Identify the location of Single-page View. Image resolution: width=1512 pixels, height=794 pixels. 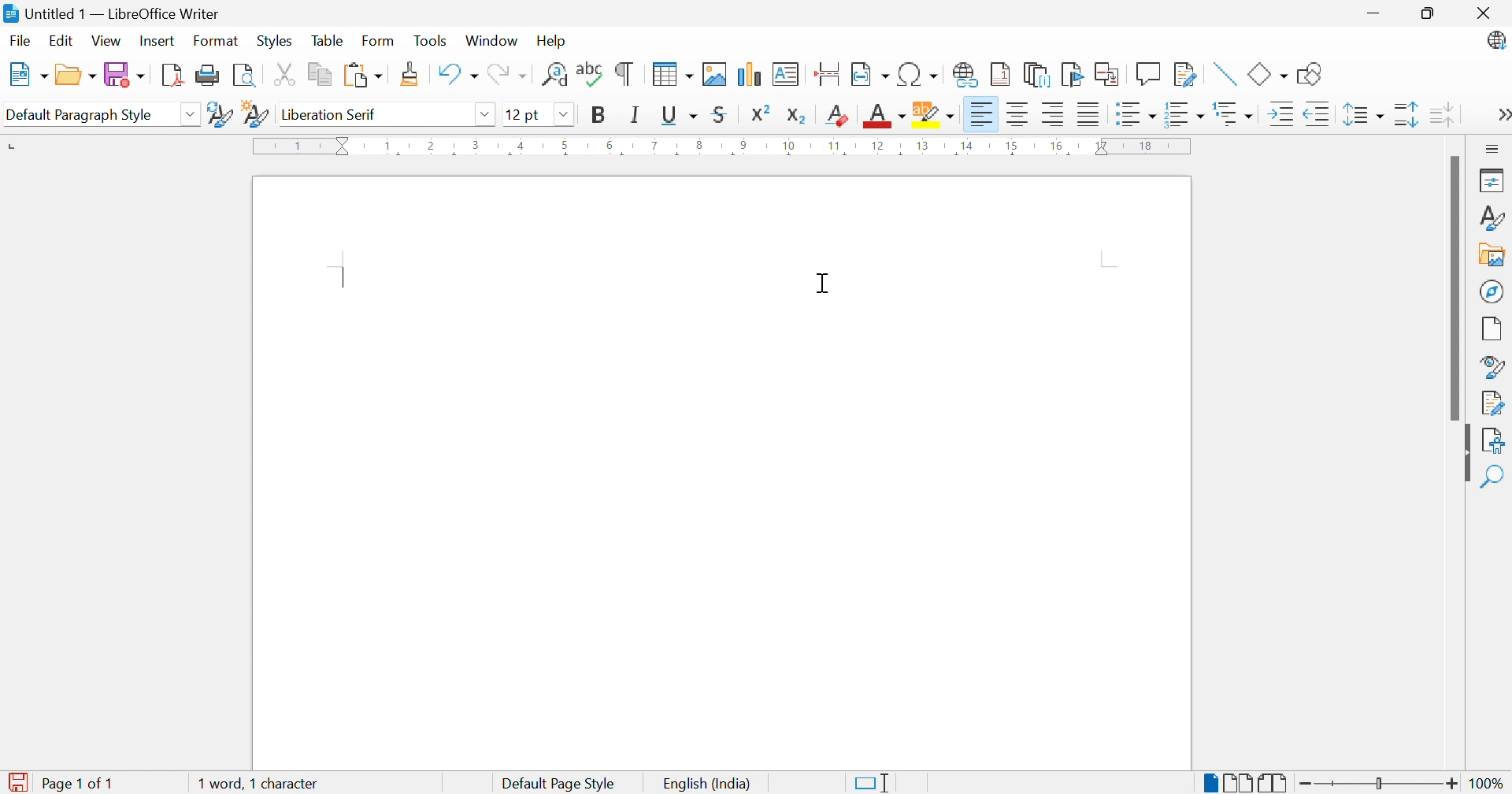
(1210, 783).